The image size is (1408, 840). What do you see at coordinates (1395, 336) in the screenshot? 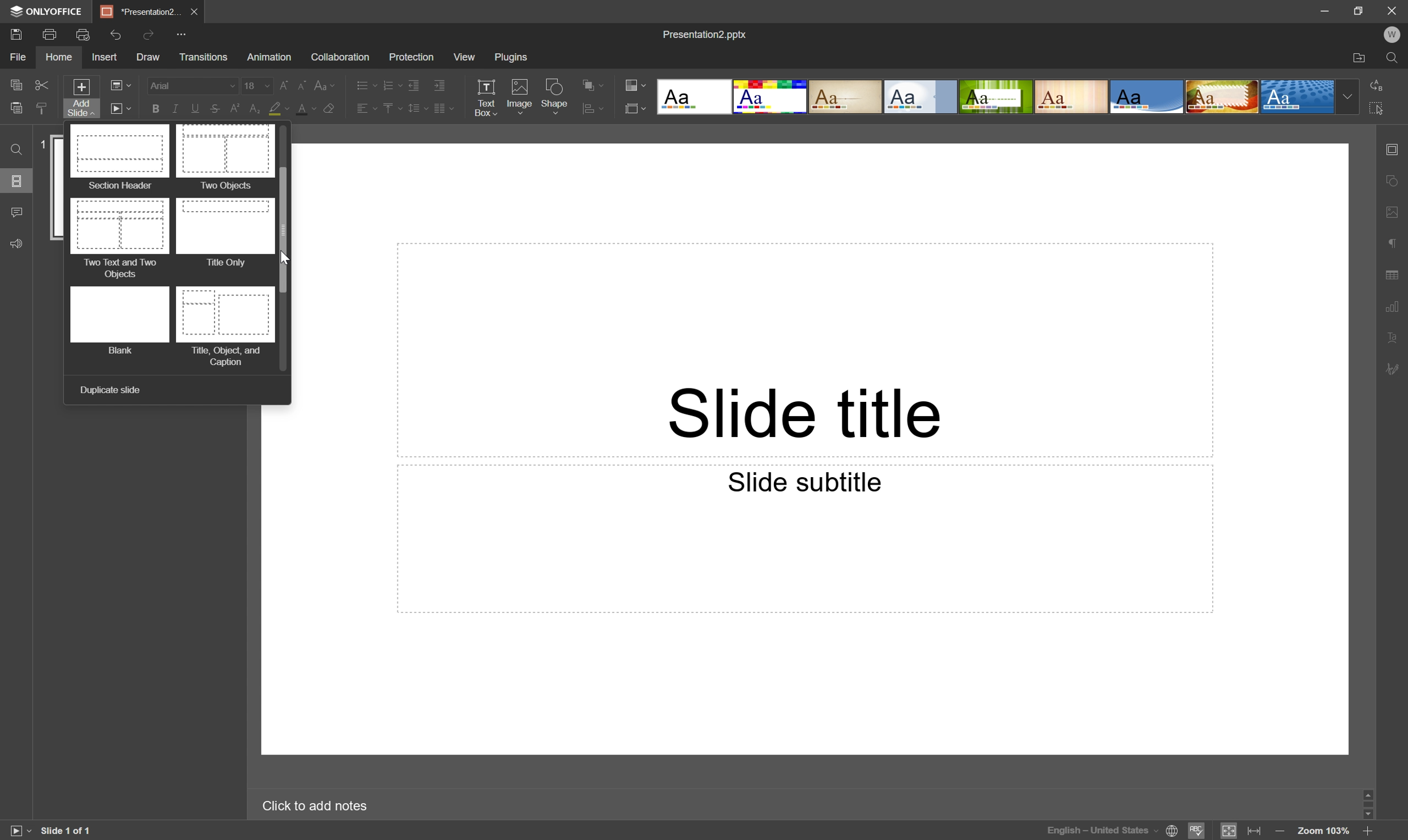
I see `Text Art settings` at bounding box center [1395, 336].